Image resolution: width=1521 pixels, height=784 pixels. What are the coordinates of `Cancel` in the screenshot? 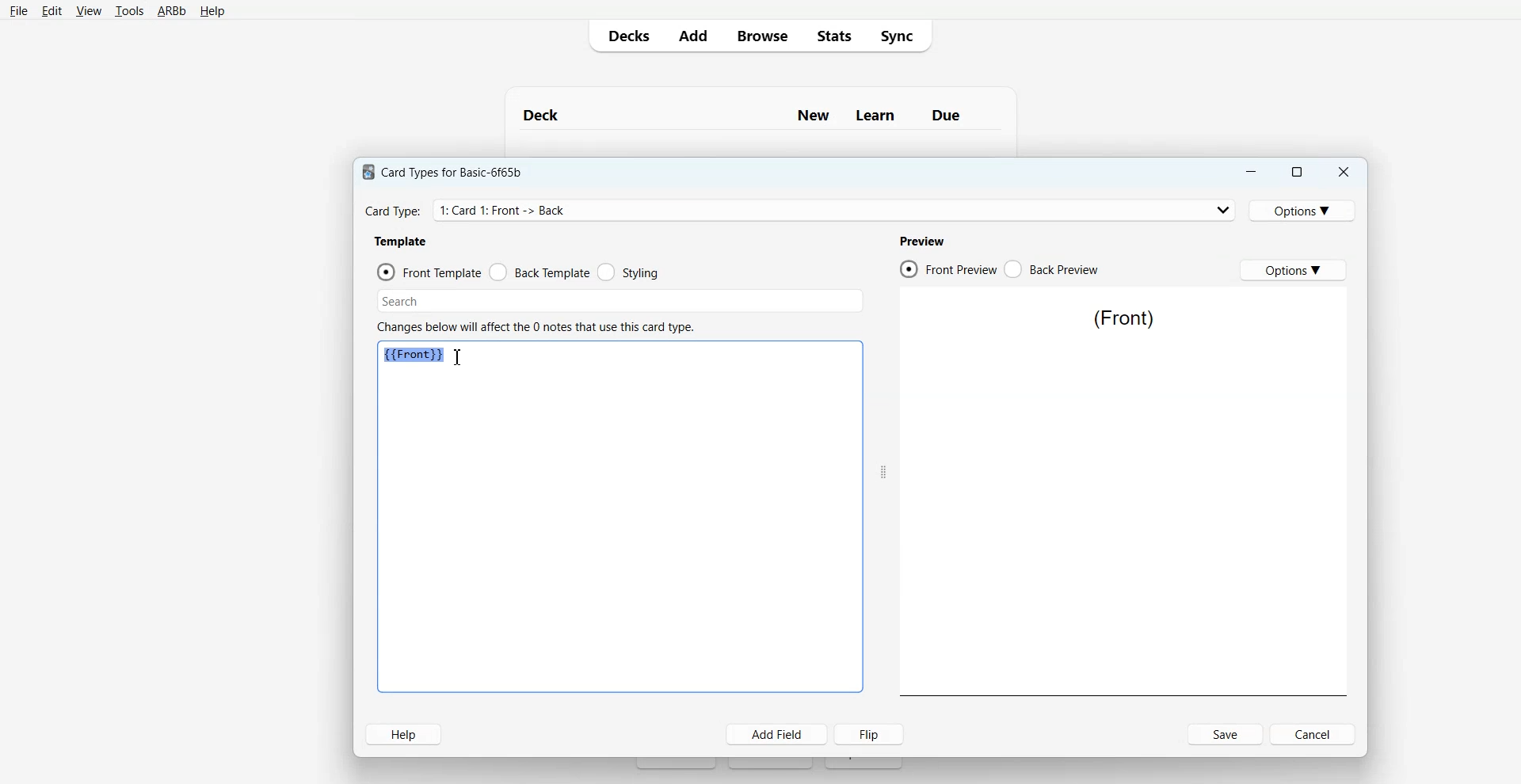 It's located at (1313, 734).